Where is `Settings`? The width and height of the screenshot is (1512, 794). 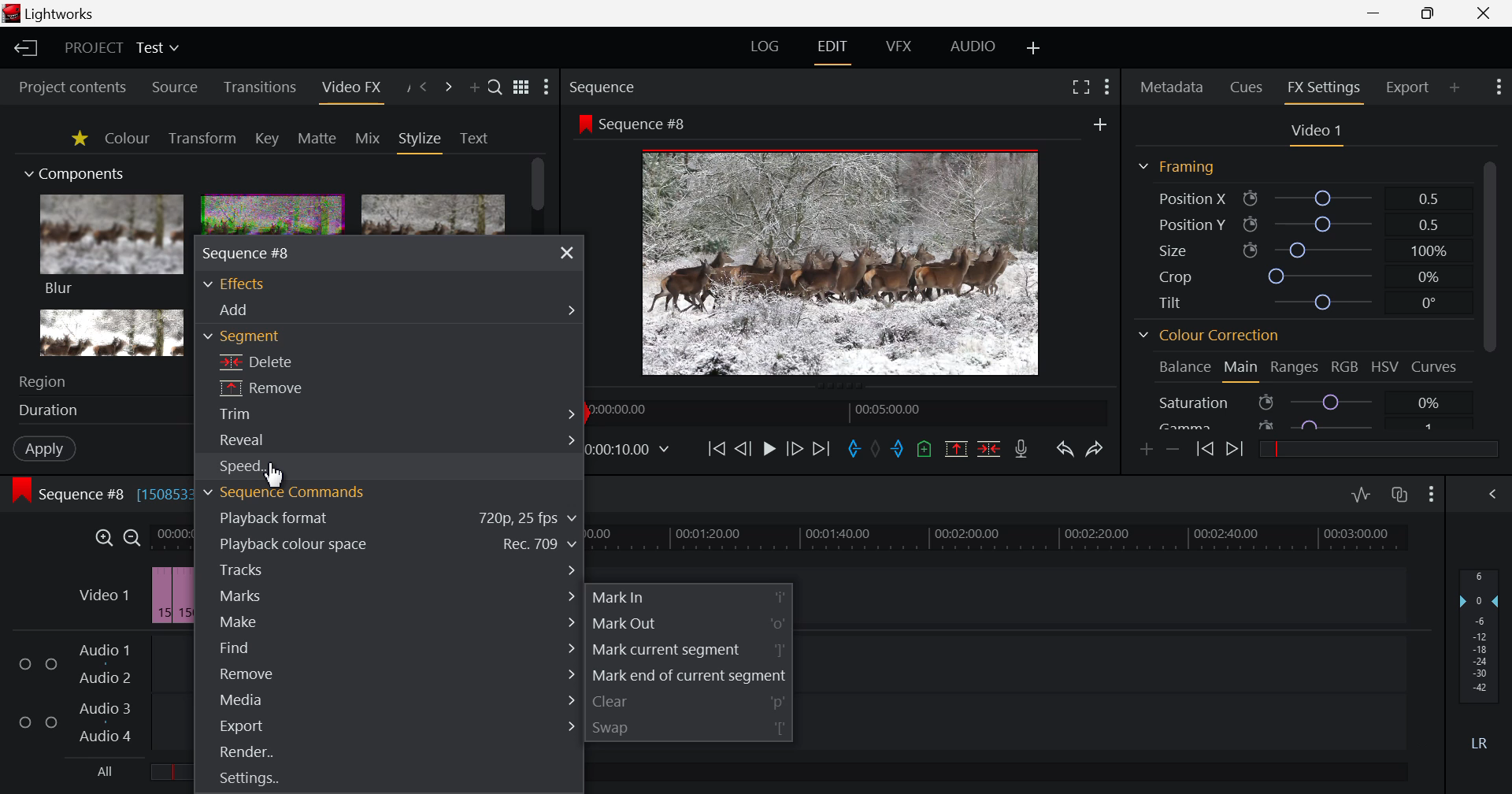 Settings is located at coordinates (378, 782).